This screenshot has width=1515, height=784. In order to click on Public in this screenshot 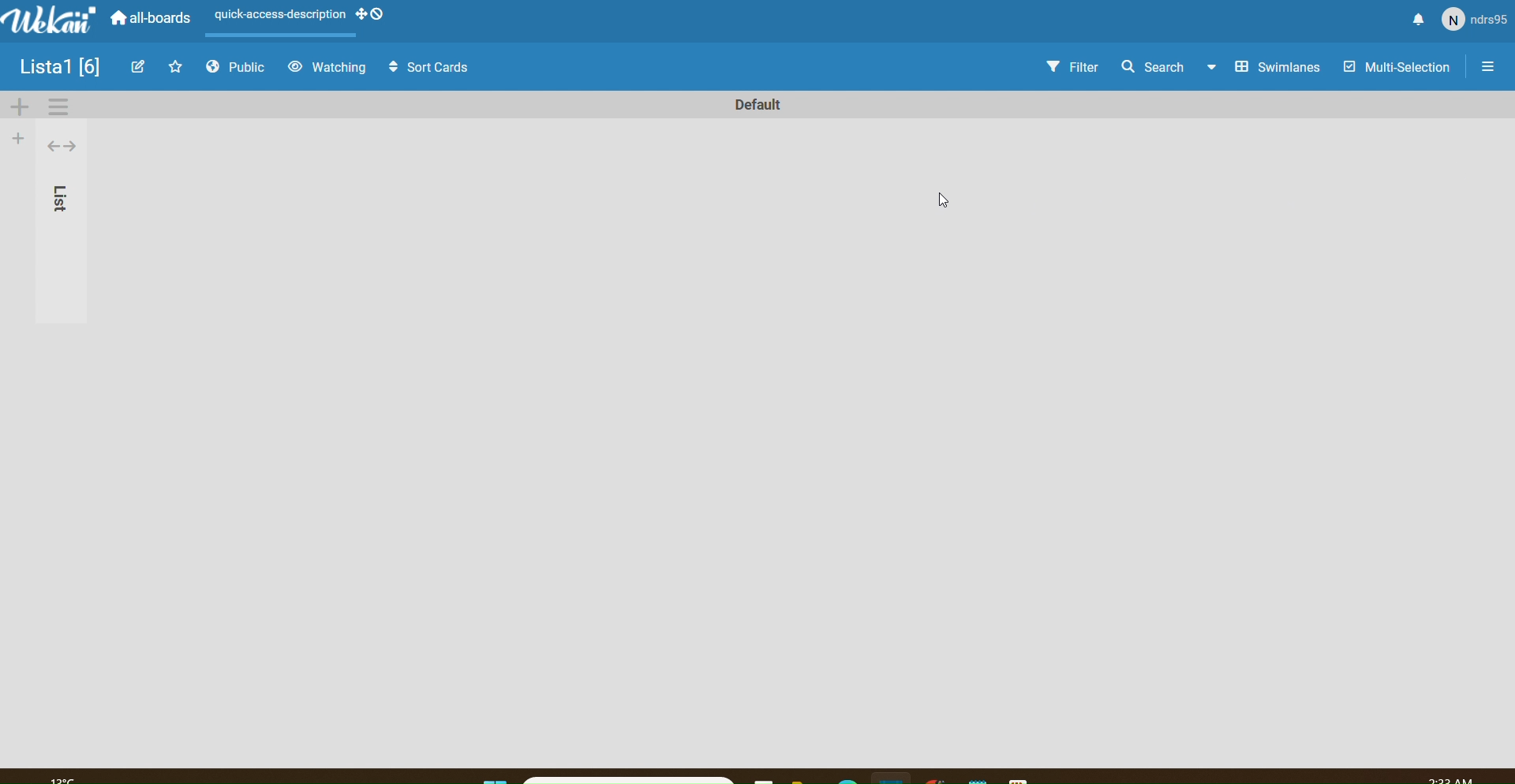, I will do `click(238, 66)`.